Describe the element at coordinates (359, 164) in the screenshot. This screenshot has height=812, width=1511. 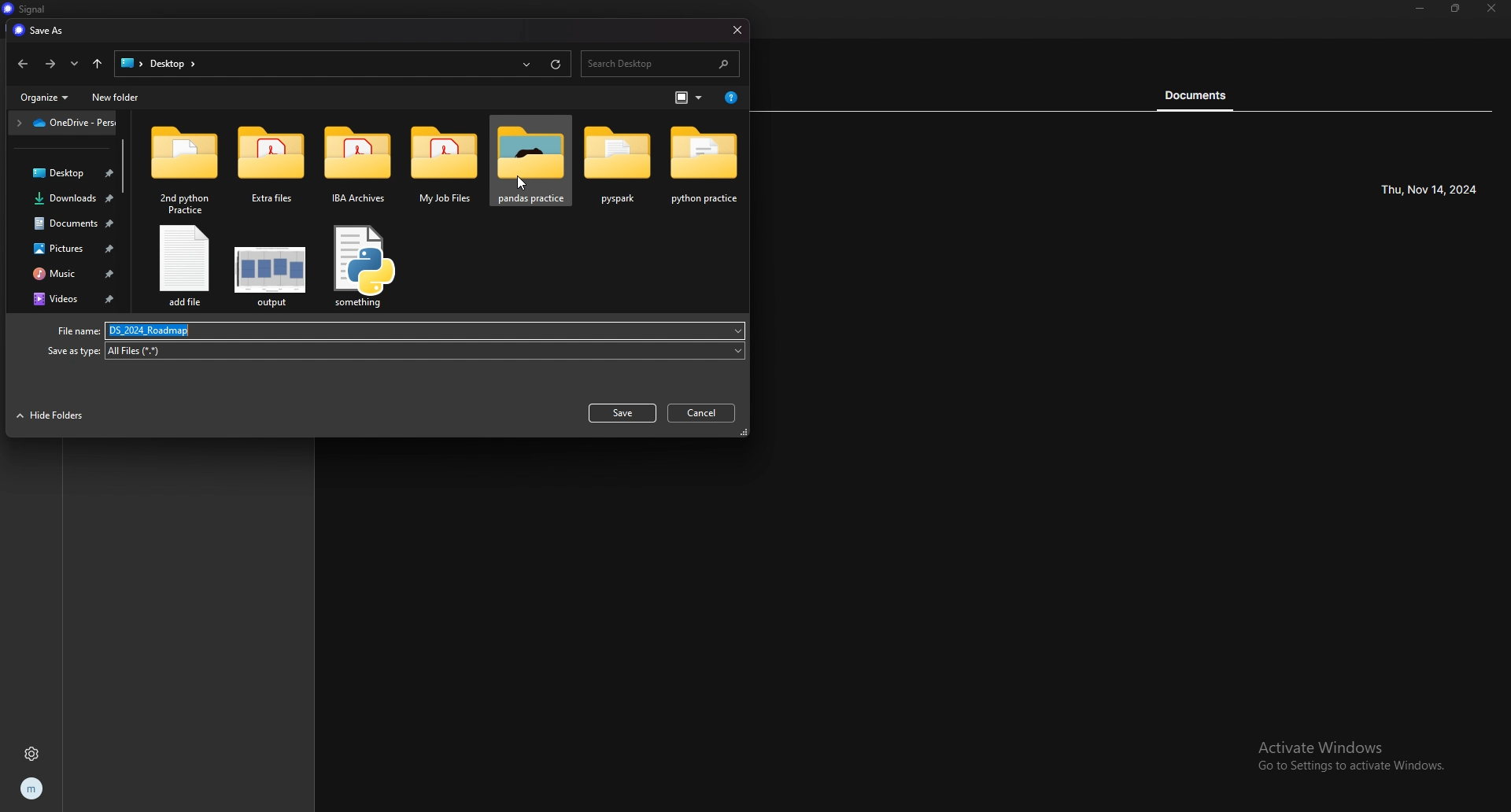
I see `folder` at that location.